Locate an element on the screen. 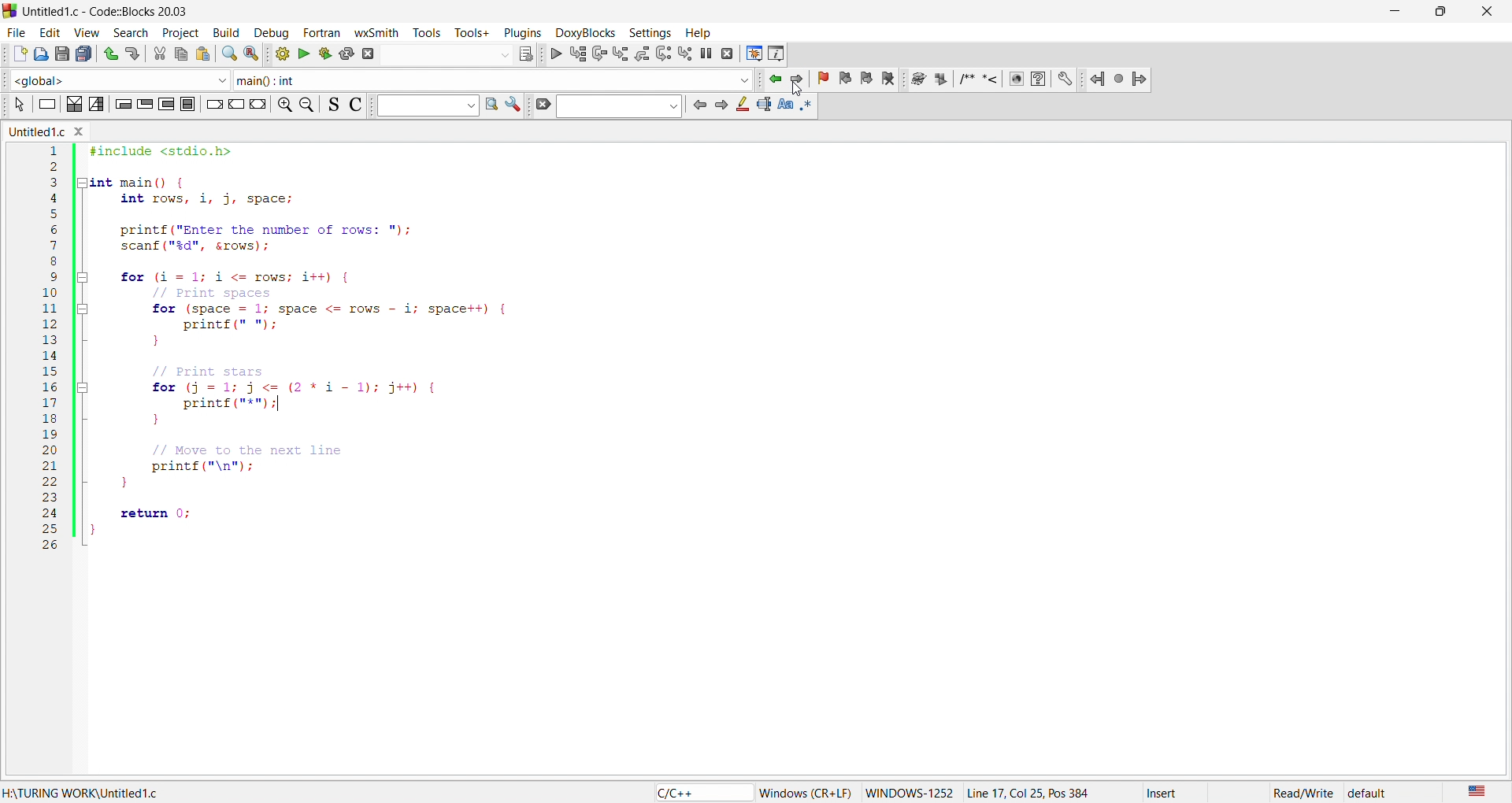  cursor is located at coordinates (800, 92).